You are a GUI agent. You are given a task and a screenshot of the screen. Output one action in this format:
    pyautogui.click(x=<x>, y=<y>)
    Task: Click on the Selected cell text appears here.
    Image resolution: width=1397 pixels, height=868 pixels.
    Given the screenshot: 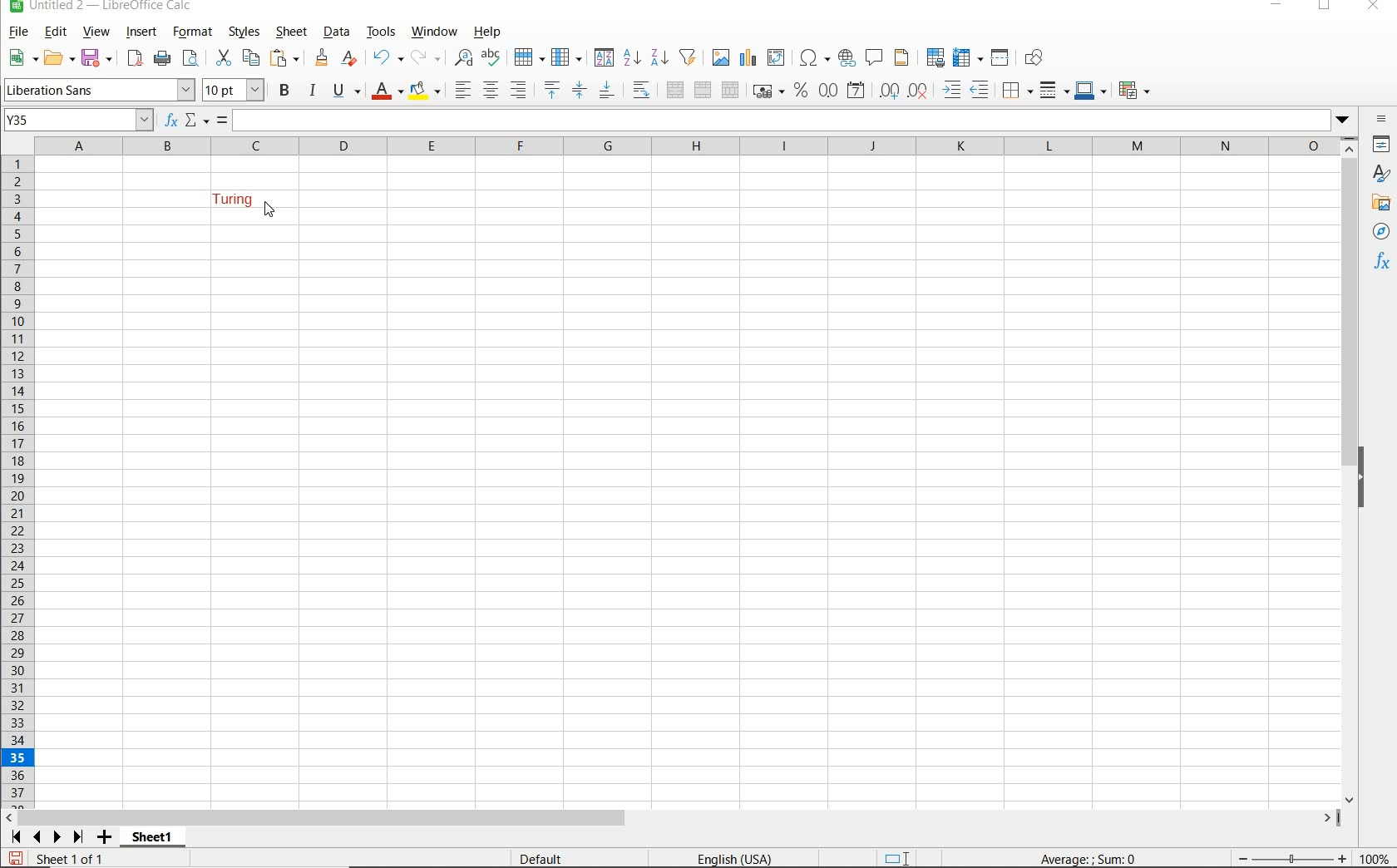 What is the action you would take?
    pyautogui.click(x=782, y=120)
    